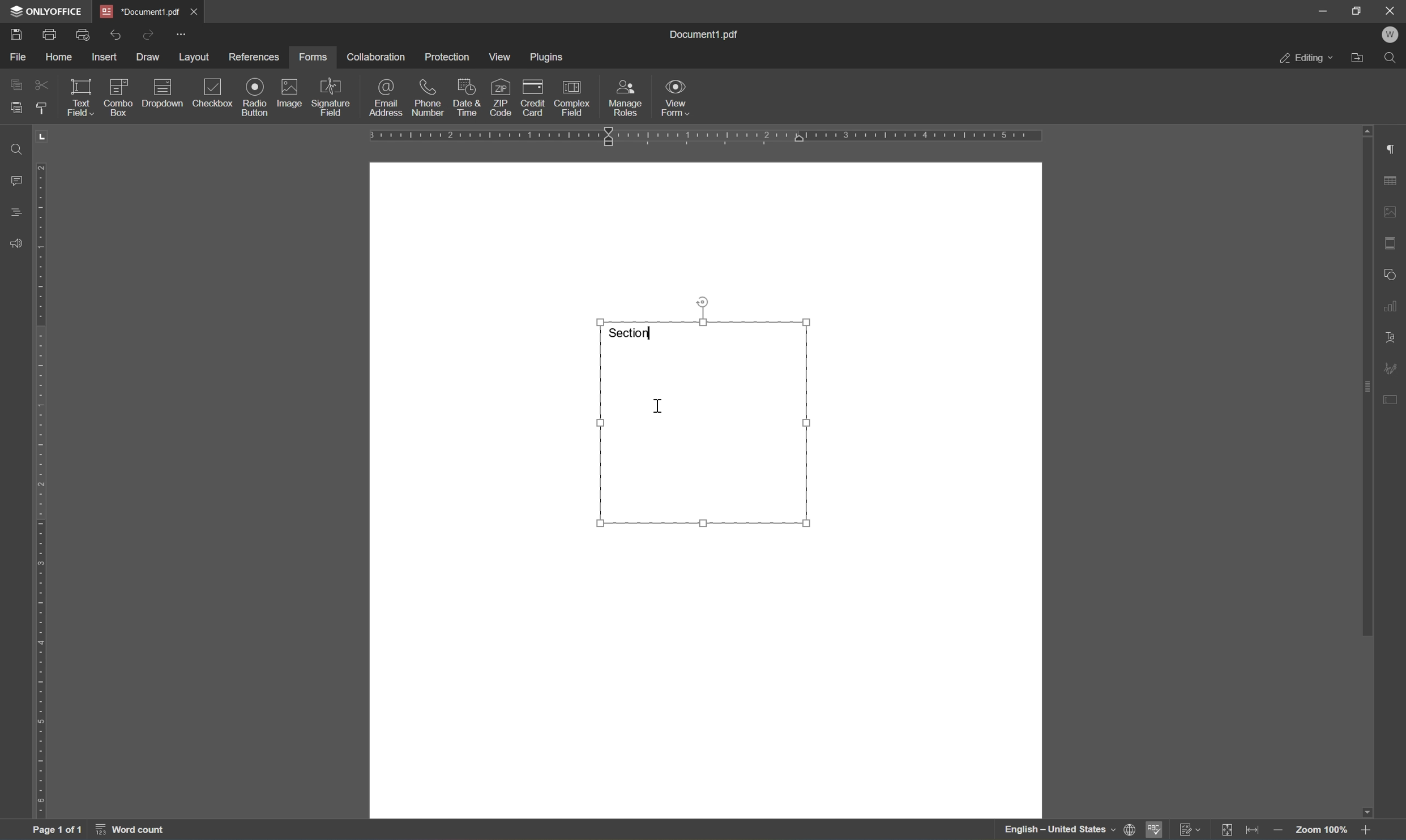 This screenshot has height=840, width=1406. I want to click on image settings, so click(1391, 214).